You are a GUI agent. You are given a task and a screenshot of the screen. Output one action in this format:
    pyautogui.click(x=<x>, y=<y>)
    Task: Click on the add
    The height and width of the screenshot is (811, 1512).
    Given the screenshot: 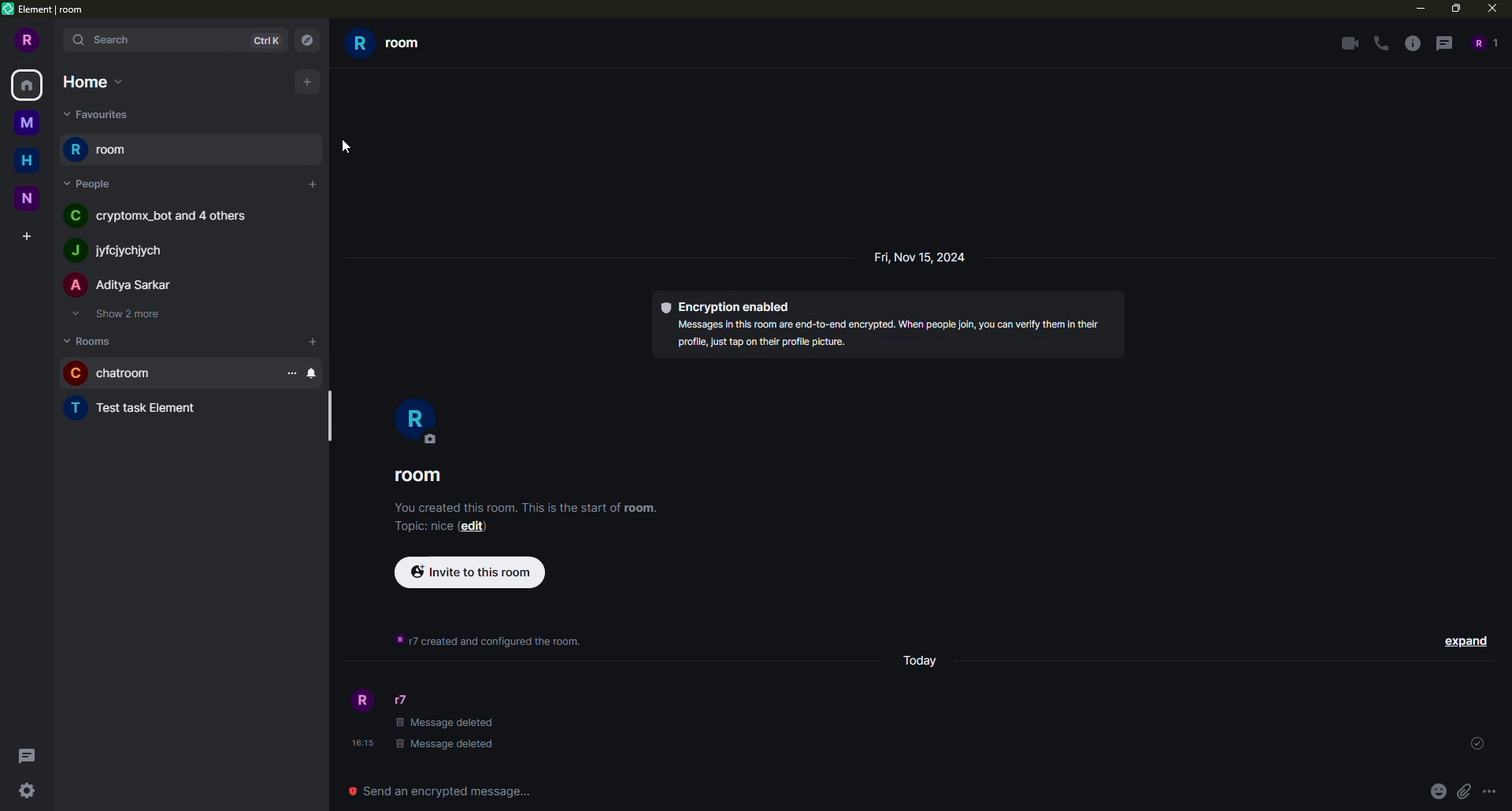 What is the action you would take?
    pyautogui.click(x=307, y=80)
    